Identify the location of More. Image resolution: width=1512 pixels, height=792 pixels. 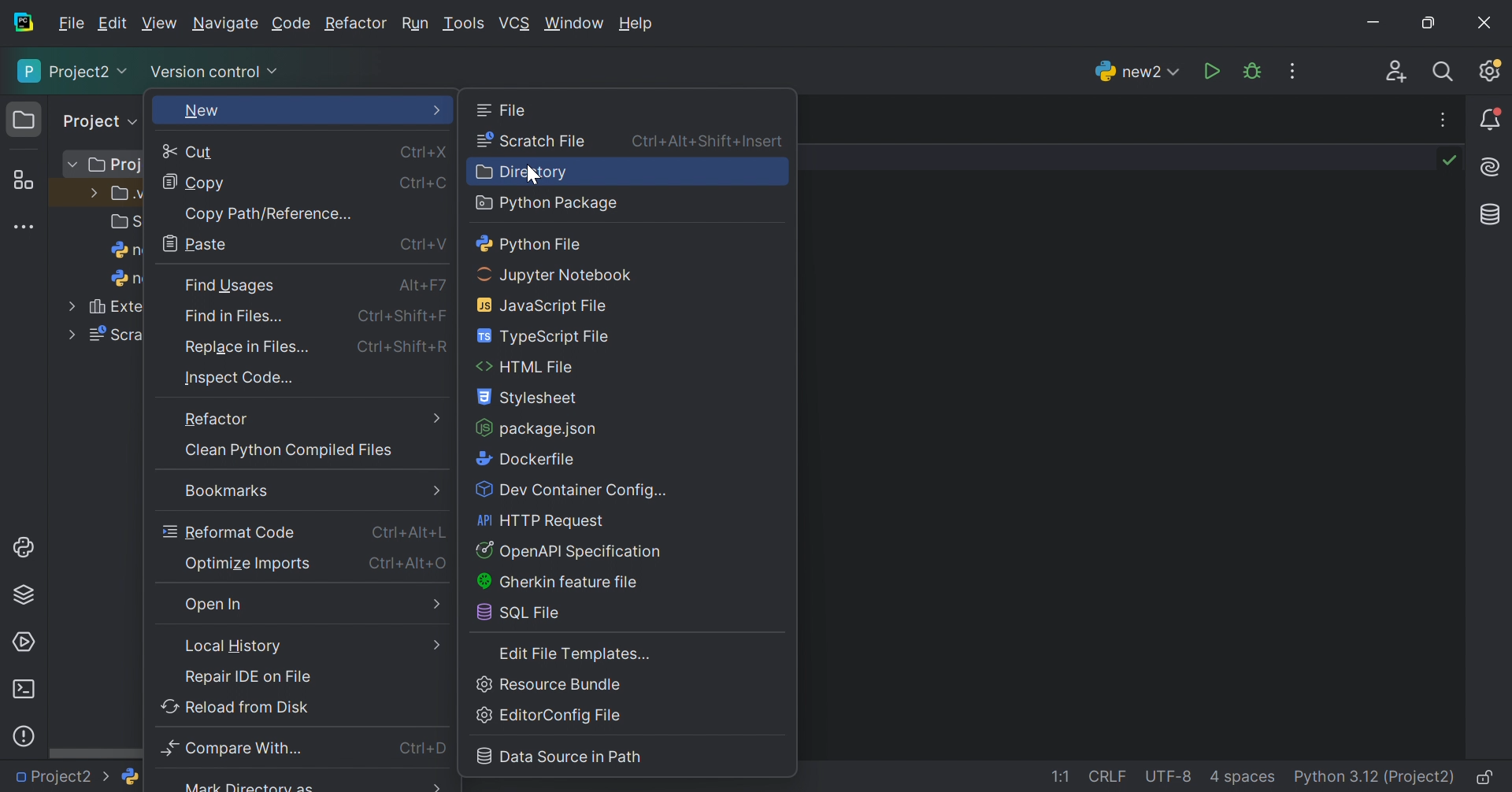
(438, 111).